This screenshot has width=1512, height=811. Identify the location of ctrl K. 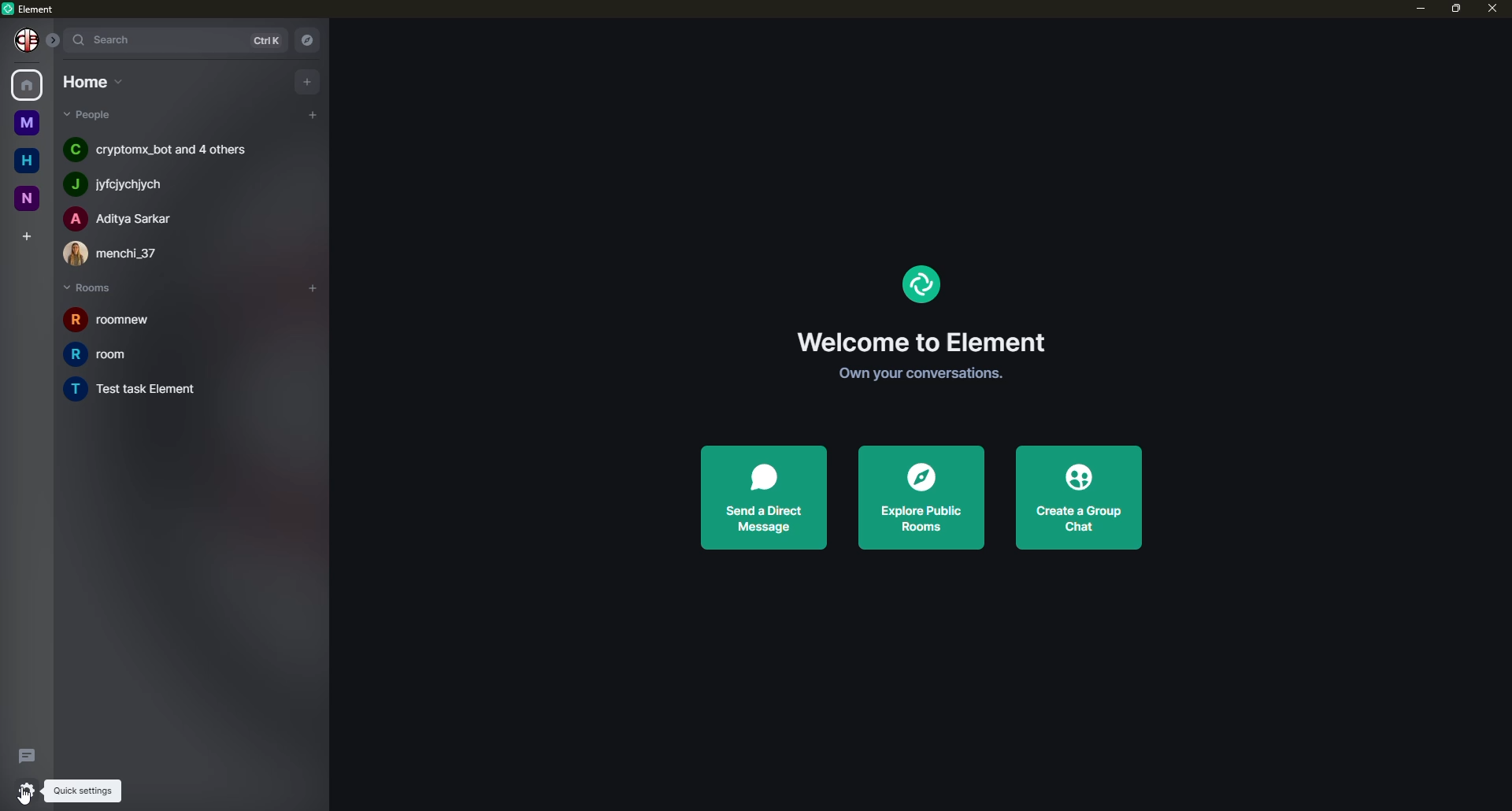
(260, 37).